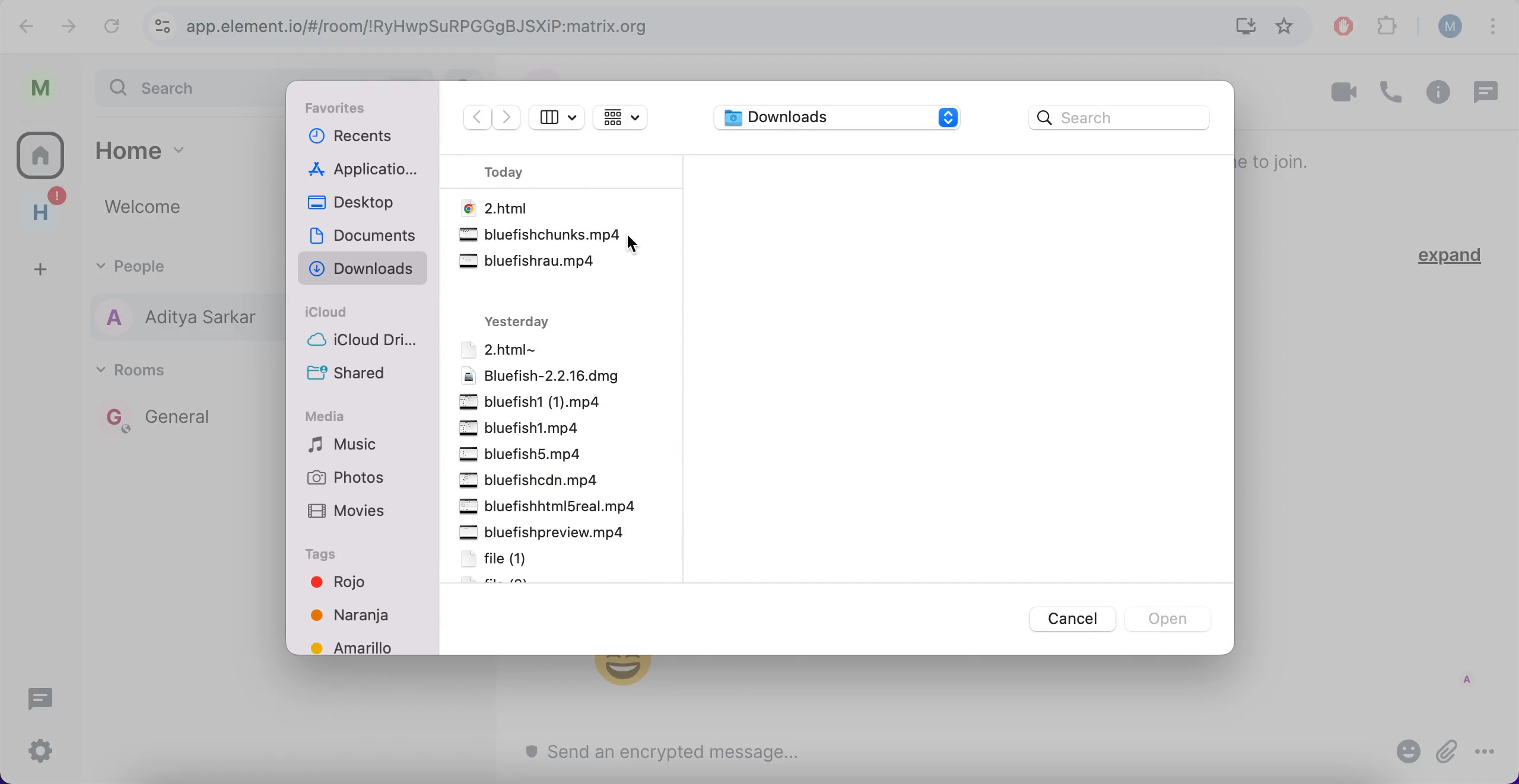 Image resolution: width=1519 pixels, height=784 pixels. What do you see at coordinates (636, 245) in the screenshot?
I see `cursor` at bounding box center [636, 245].